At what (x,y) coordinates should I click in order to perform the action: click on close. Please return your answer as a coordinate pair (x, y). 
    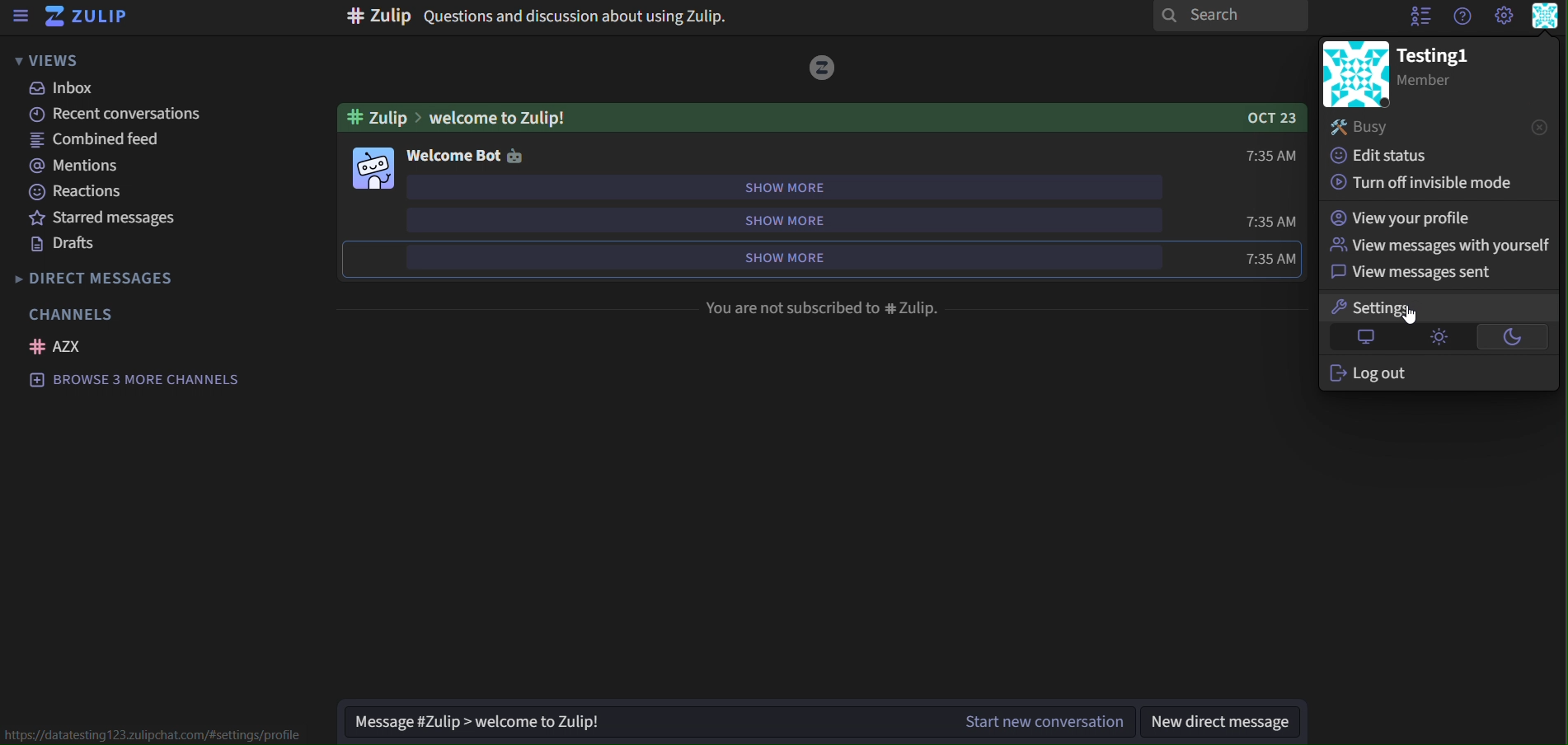
    Looking at the image, I should click on (1536, 125).